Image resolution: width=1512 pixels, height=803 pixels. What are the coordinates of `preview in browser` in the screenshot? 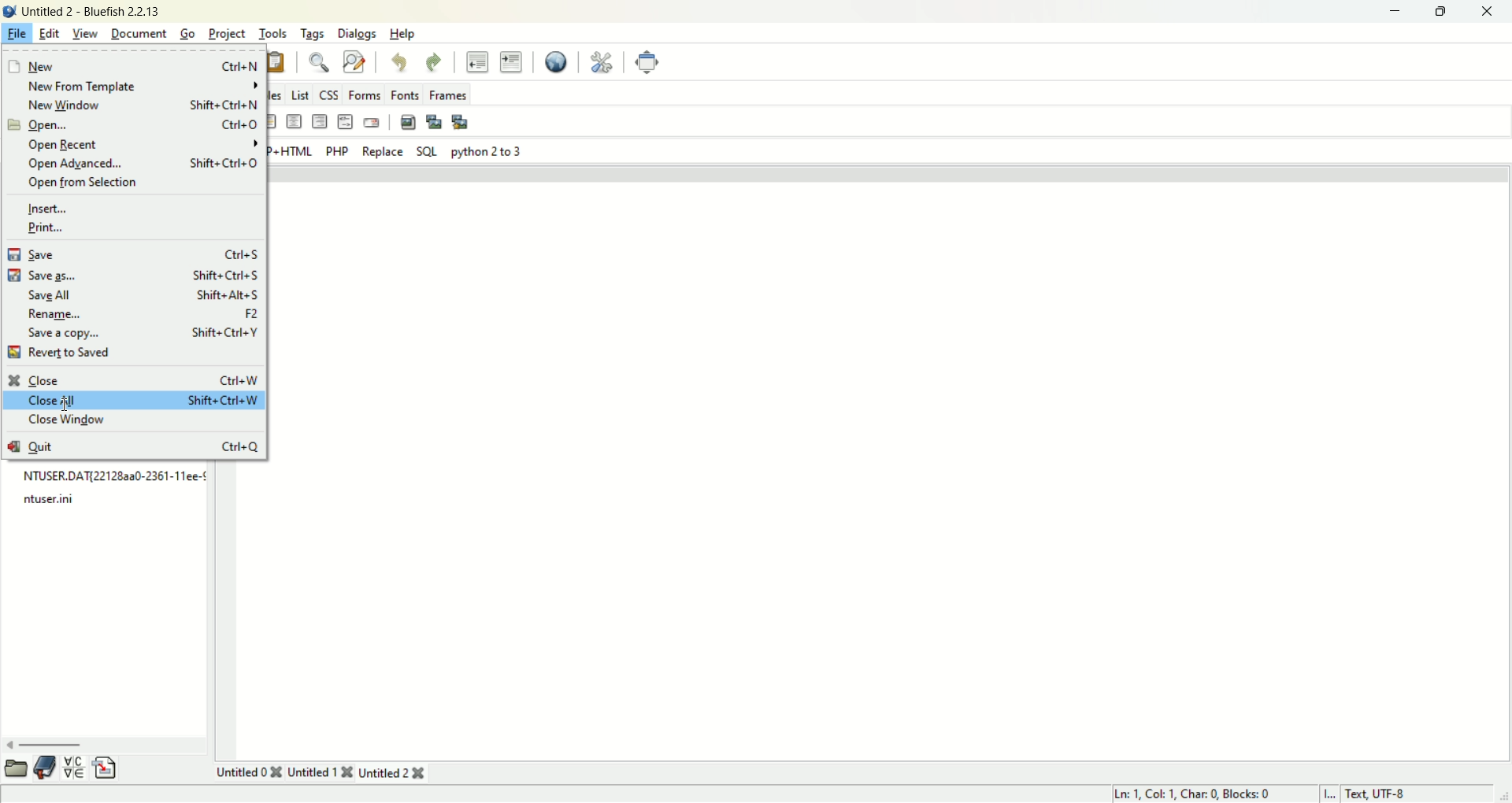 It's located at (558, 60).